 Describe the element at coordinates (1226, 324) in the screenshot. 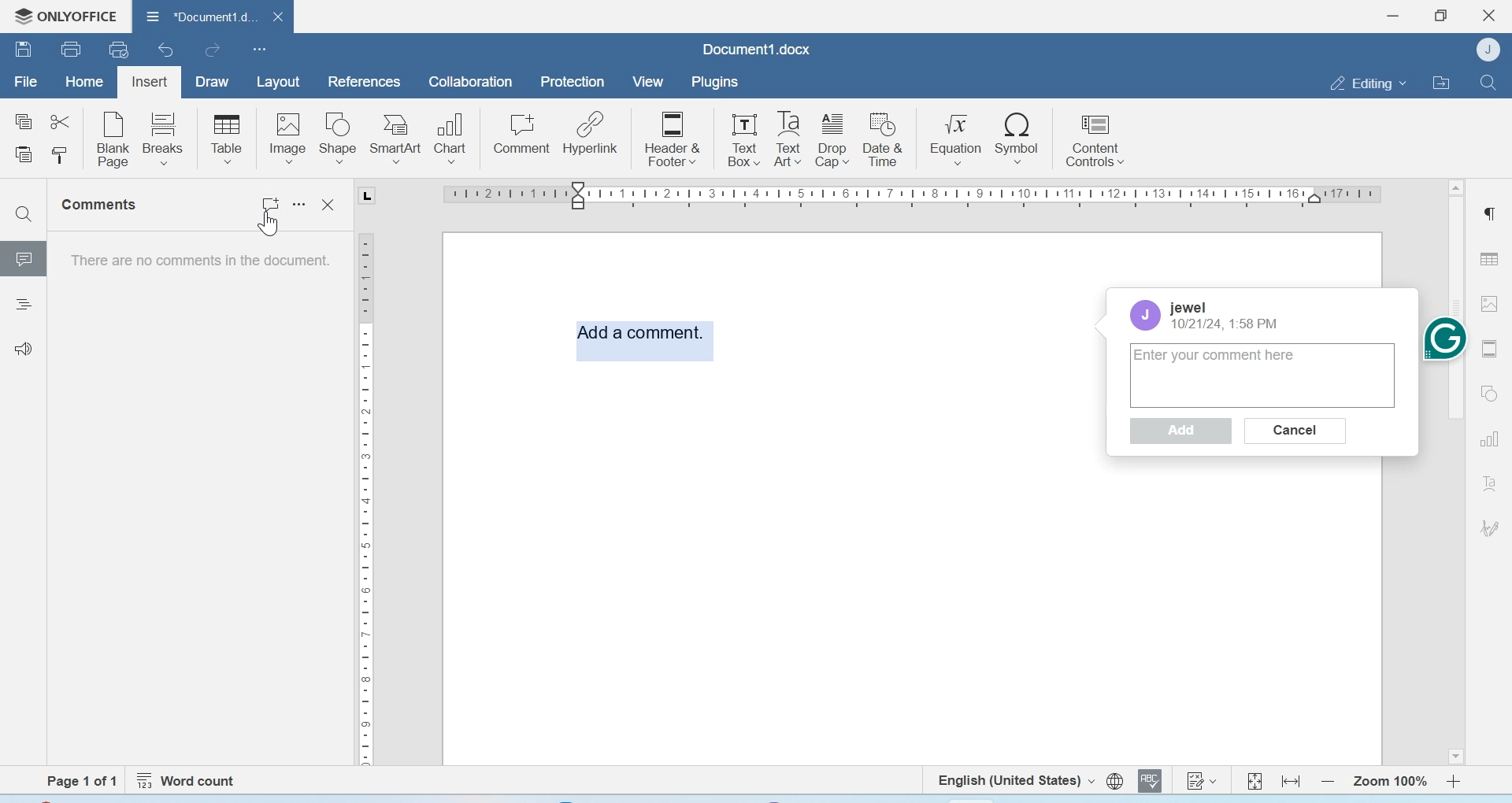

I see `Date, Time` at that location.